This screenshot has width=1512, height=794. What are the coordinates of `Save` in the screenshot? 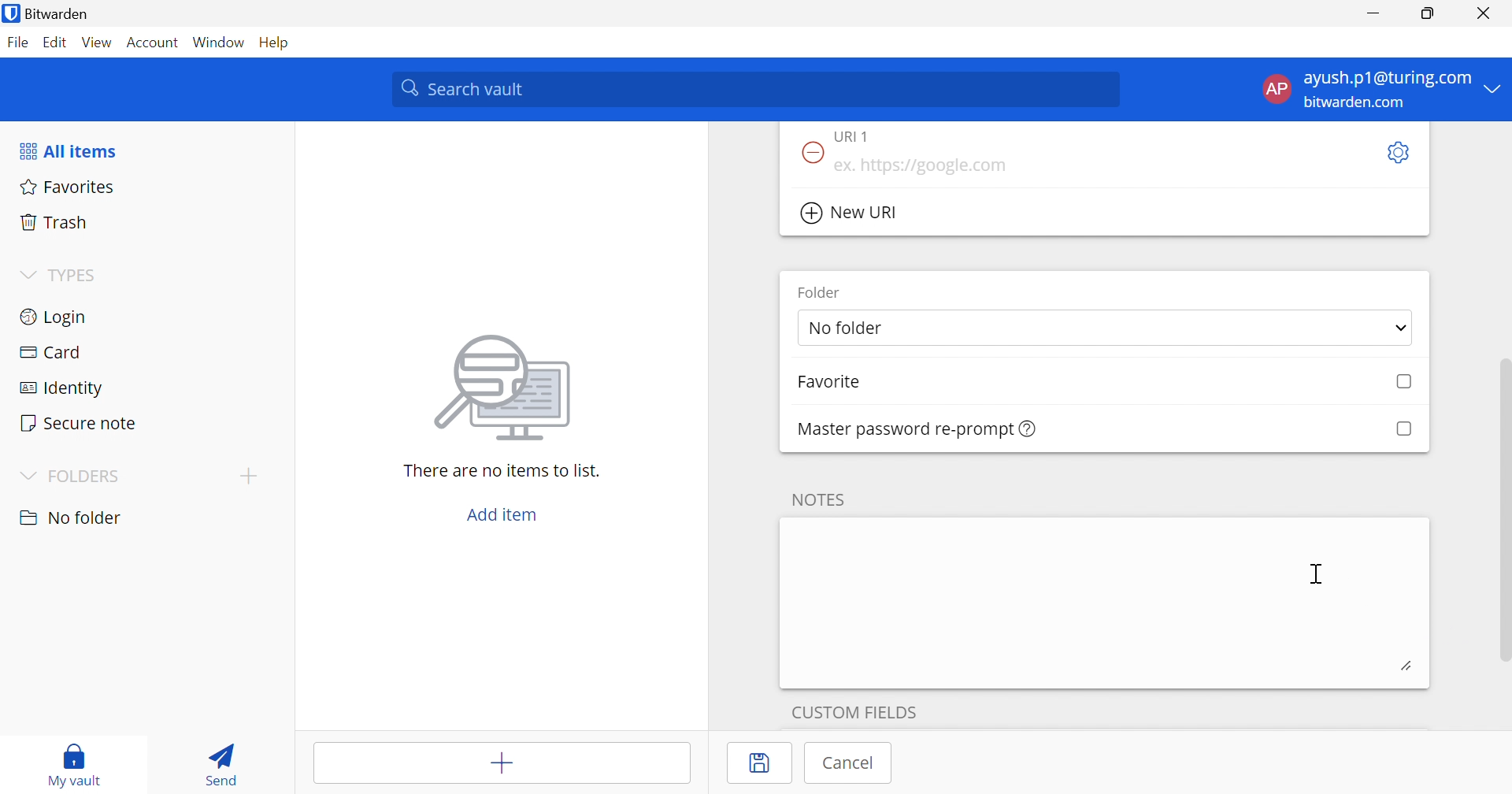 It's located at (762, 763).